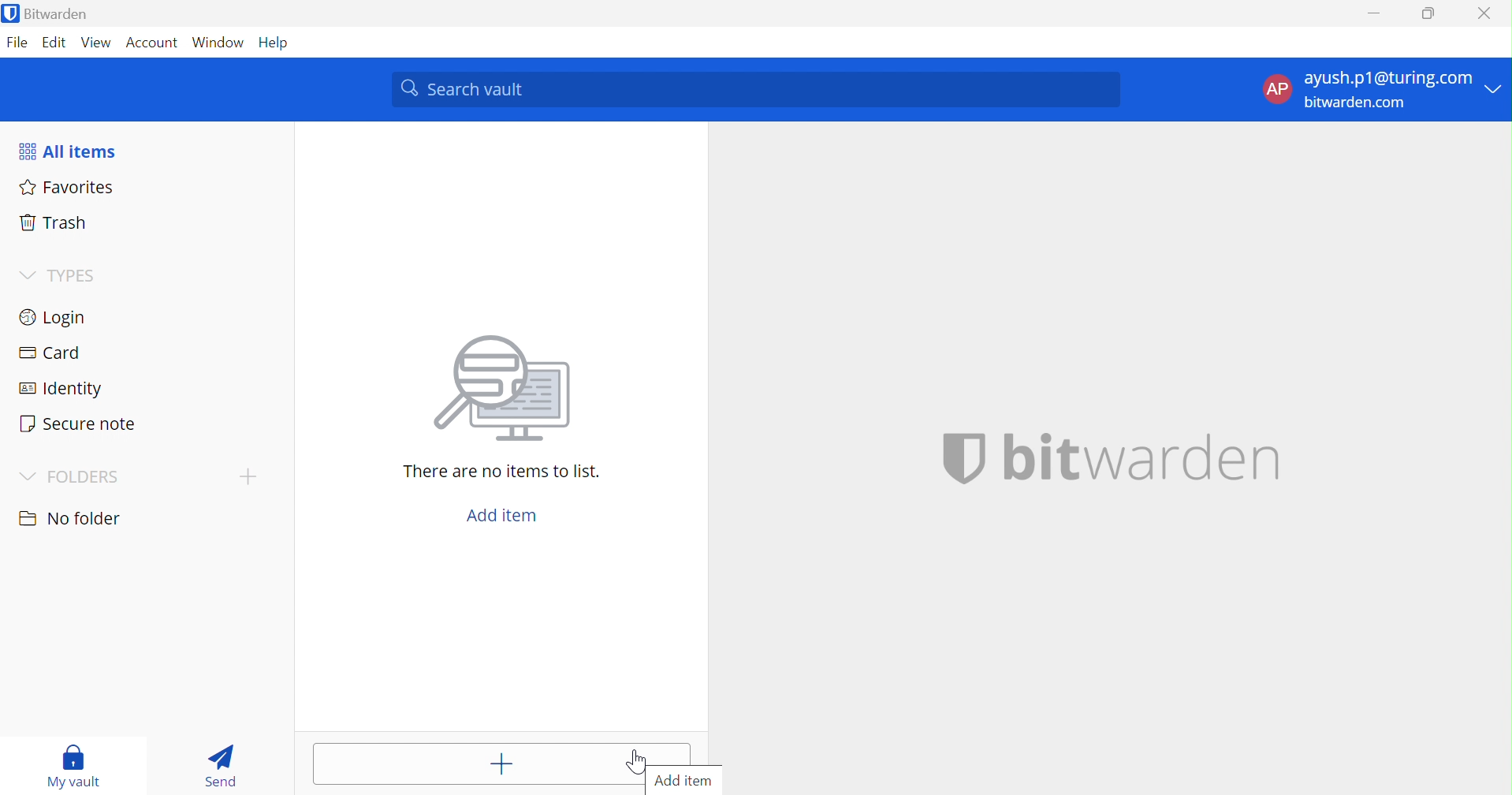  I want to click on Card, so click(53, 353).